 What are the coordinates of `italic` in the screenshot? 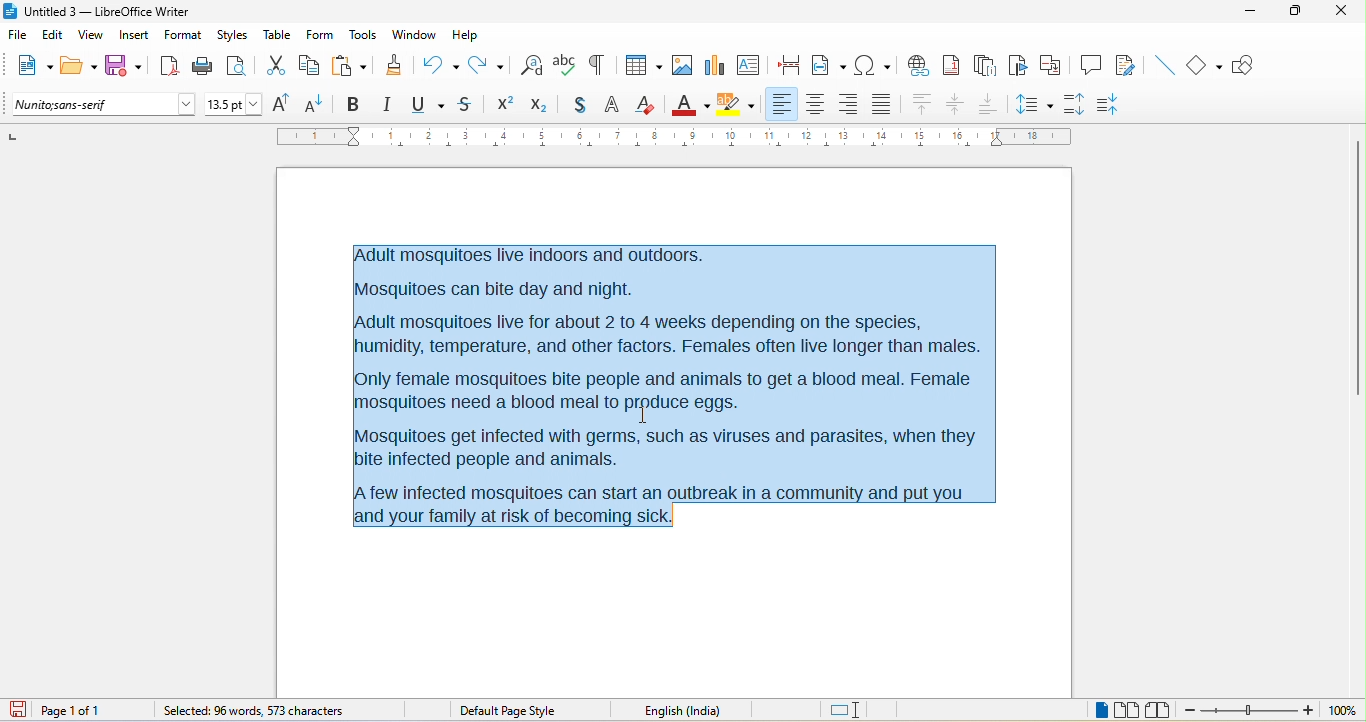 It's located at (391, 105).